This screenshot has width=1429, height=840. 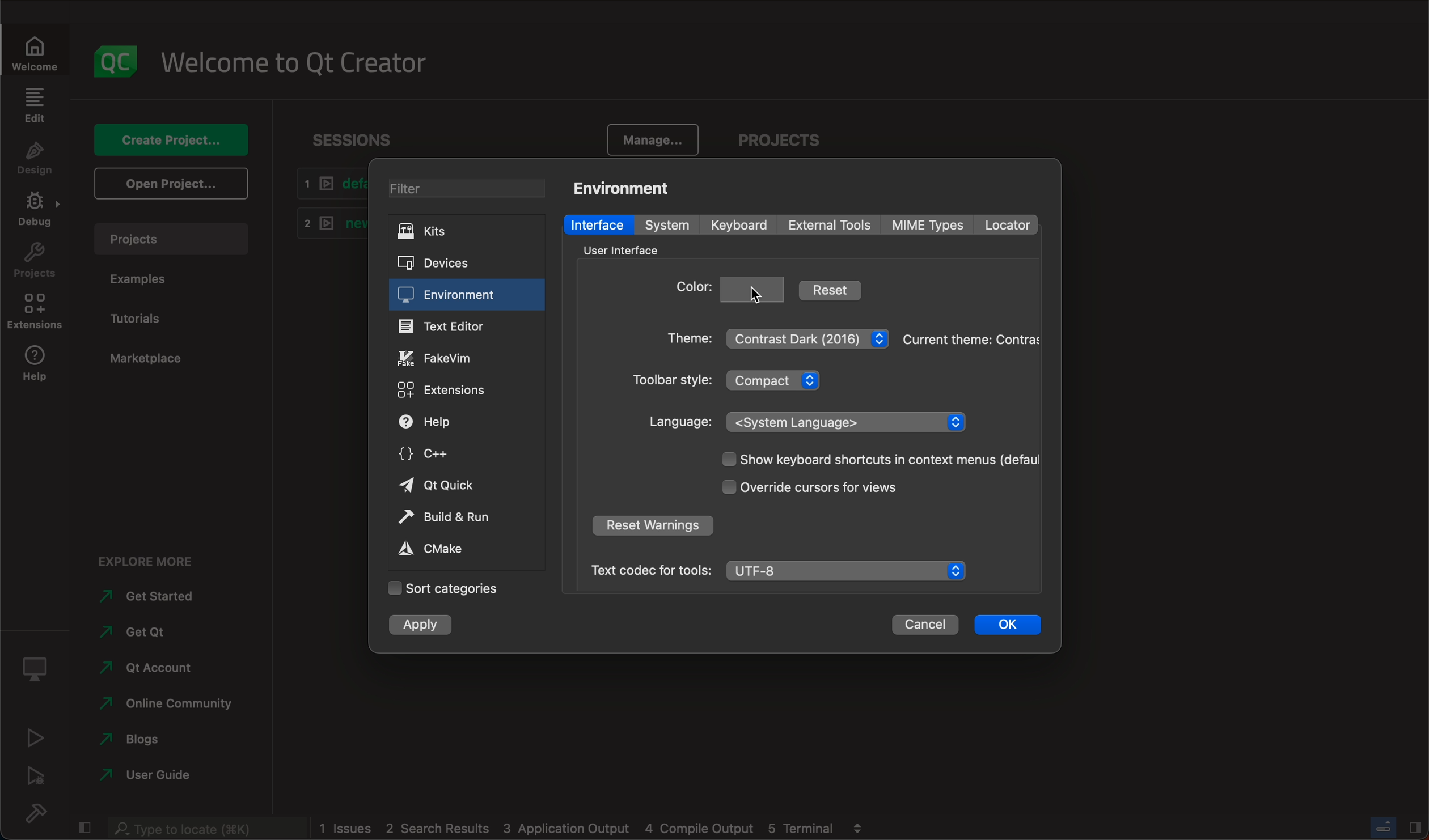 I want to click on languages menu, so click(x=849, y=421).